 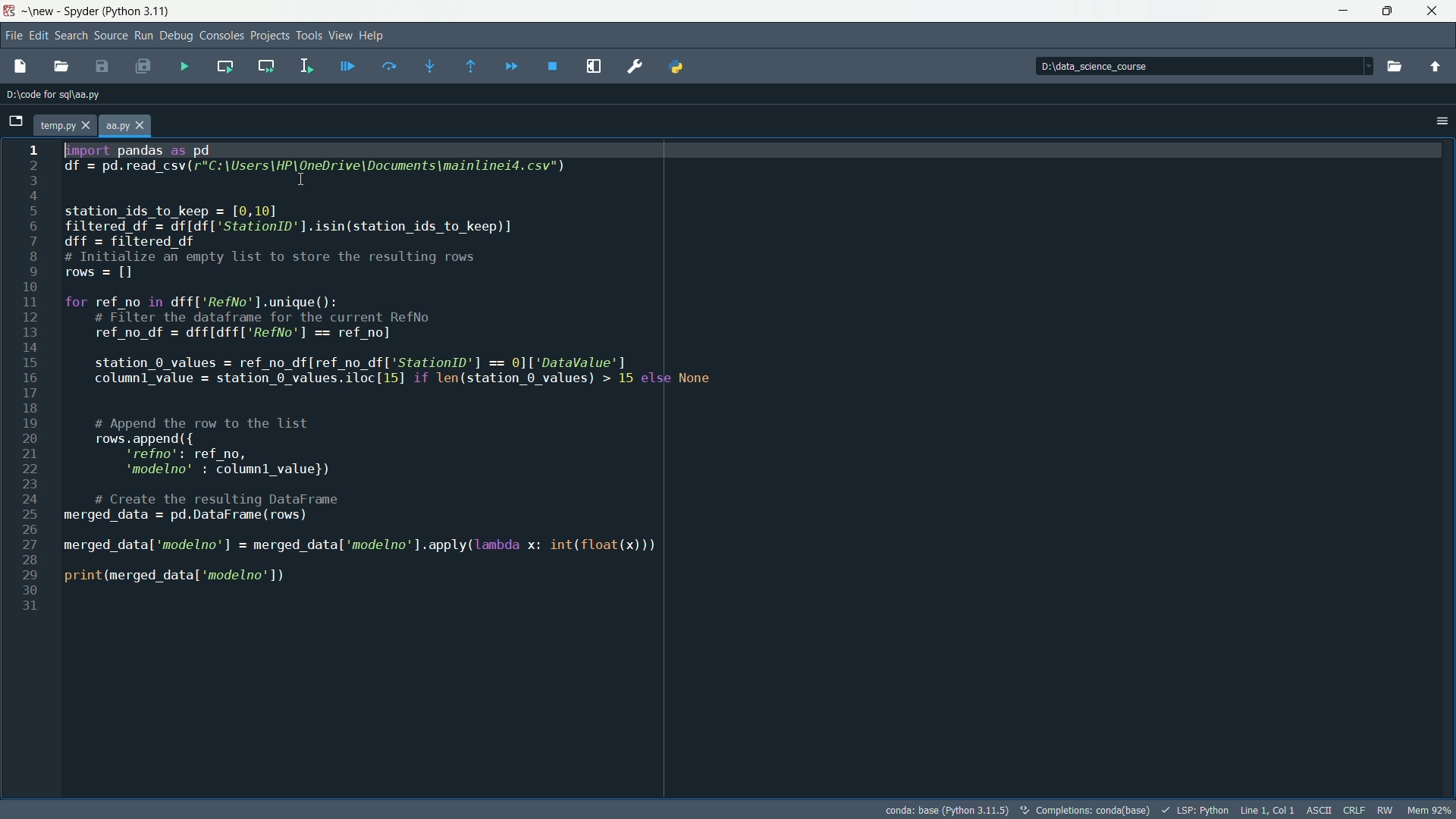 What do you see at coordinates (1436, 67) in the screenshot?
I see `change to parent directory` at bounding box center [1436, 67].